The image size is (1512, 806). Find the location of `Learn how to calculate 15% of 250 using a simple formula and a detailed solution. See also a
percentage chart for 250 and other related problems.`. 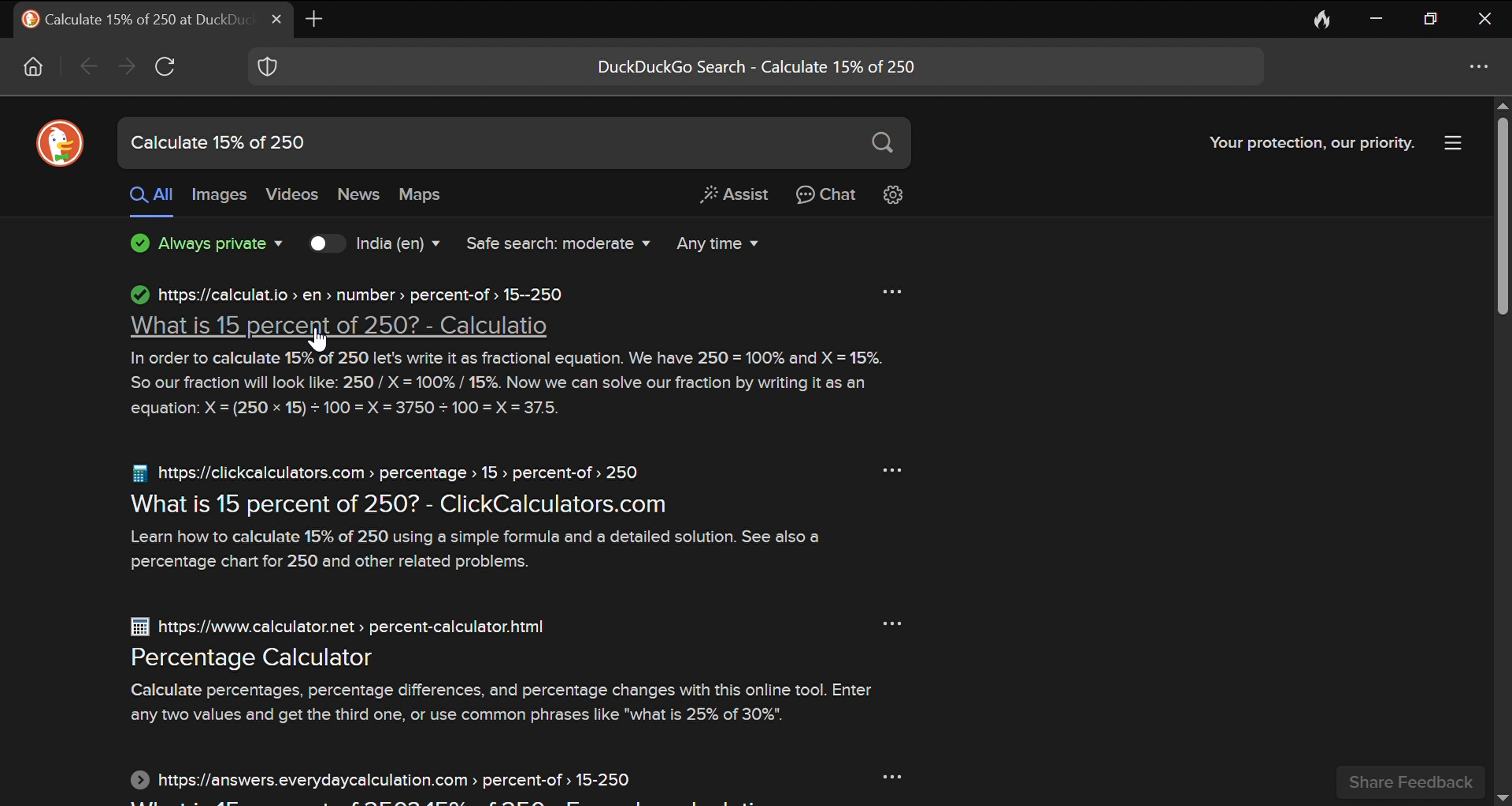

Learn how to calculate 15% of 250 using a simple formula and a detailed solution. See also a
percentage chart for 250 and other related problems. is located at coordinates (483, 549).